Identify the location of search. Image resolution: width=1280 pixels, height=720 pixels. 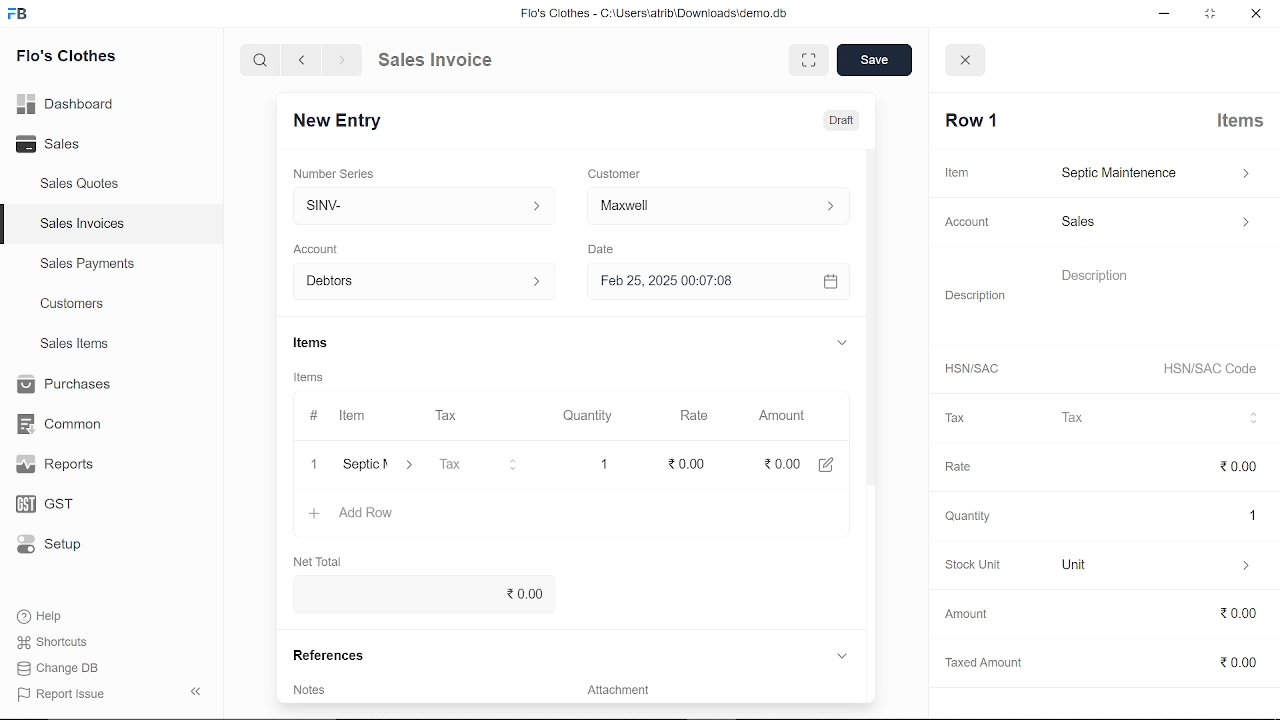
(263, 61).